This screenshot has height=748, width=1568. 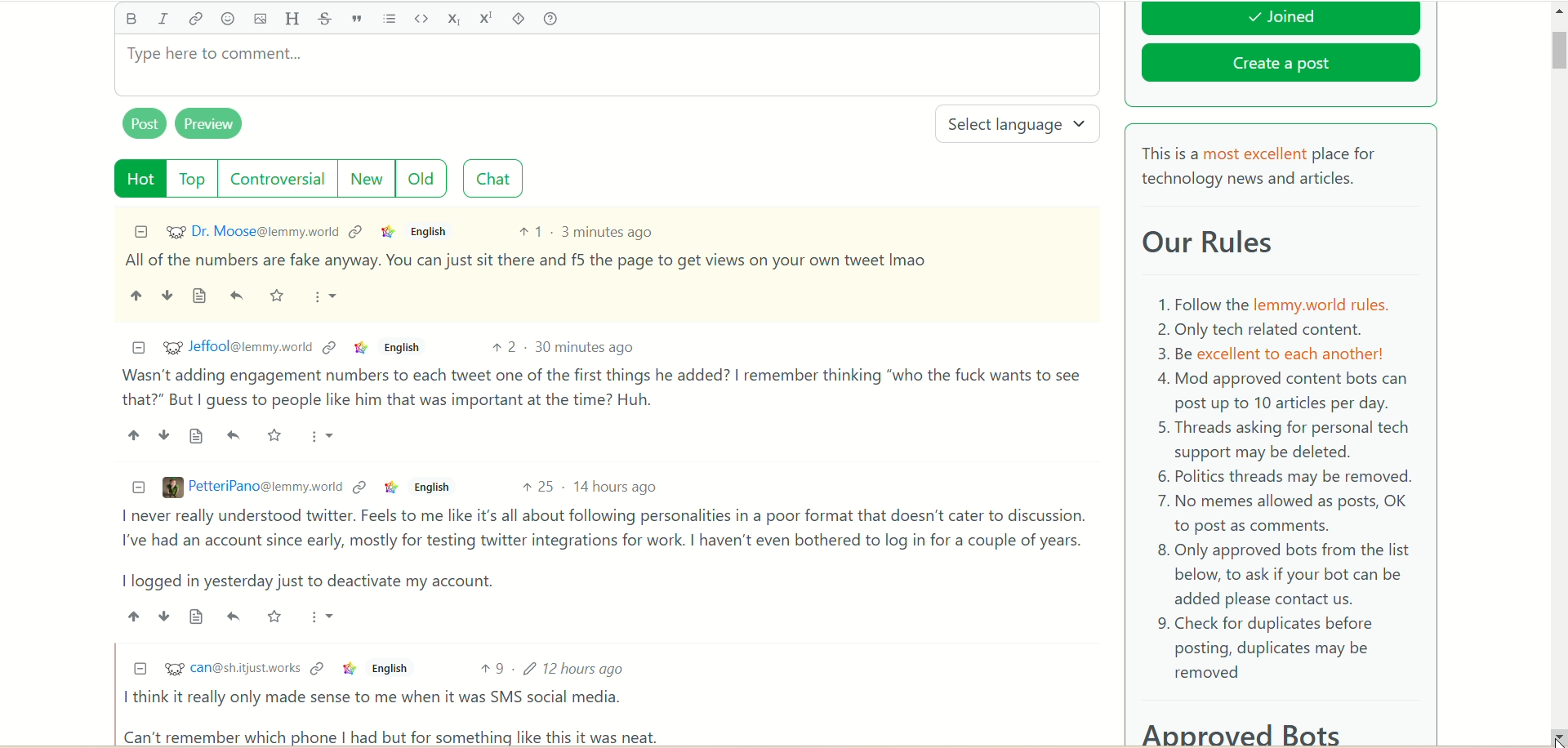 I want to click on Collapse, so click(x=141, y=231).